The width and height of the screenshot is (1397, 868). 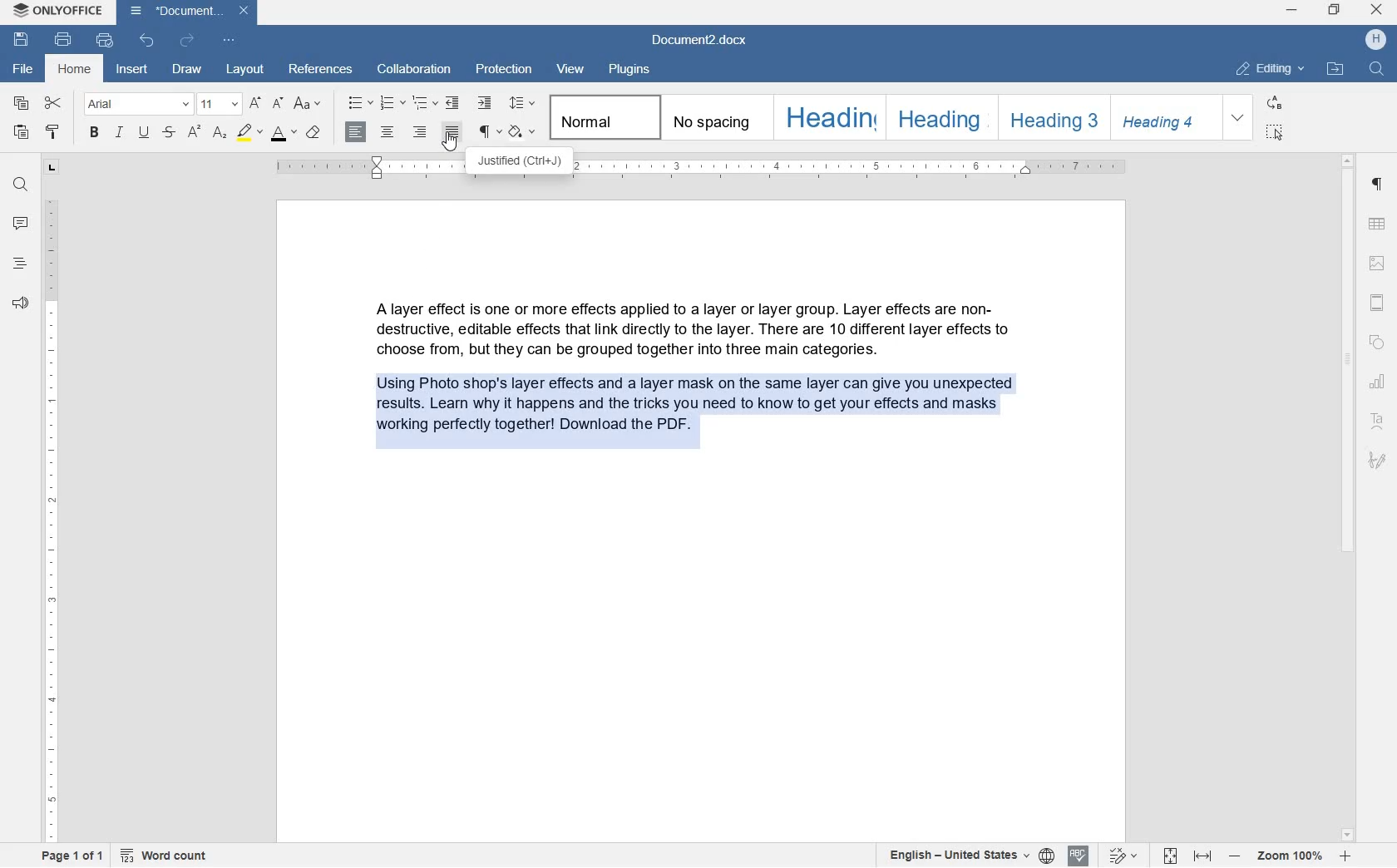 What do you see at coordinates (23, 42) in the screenshot?
I see `SAVE` at bounding box center [23, 42].